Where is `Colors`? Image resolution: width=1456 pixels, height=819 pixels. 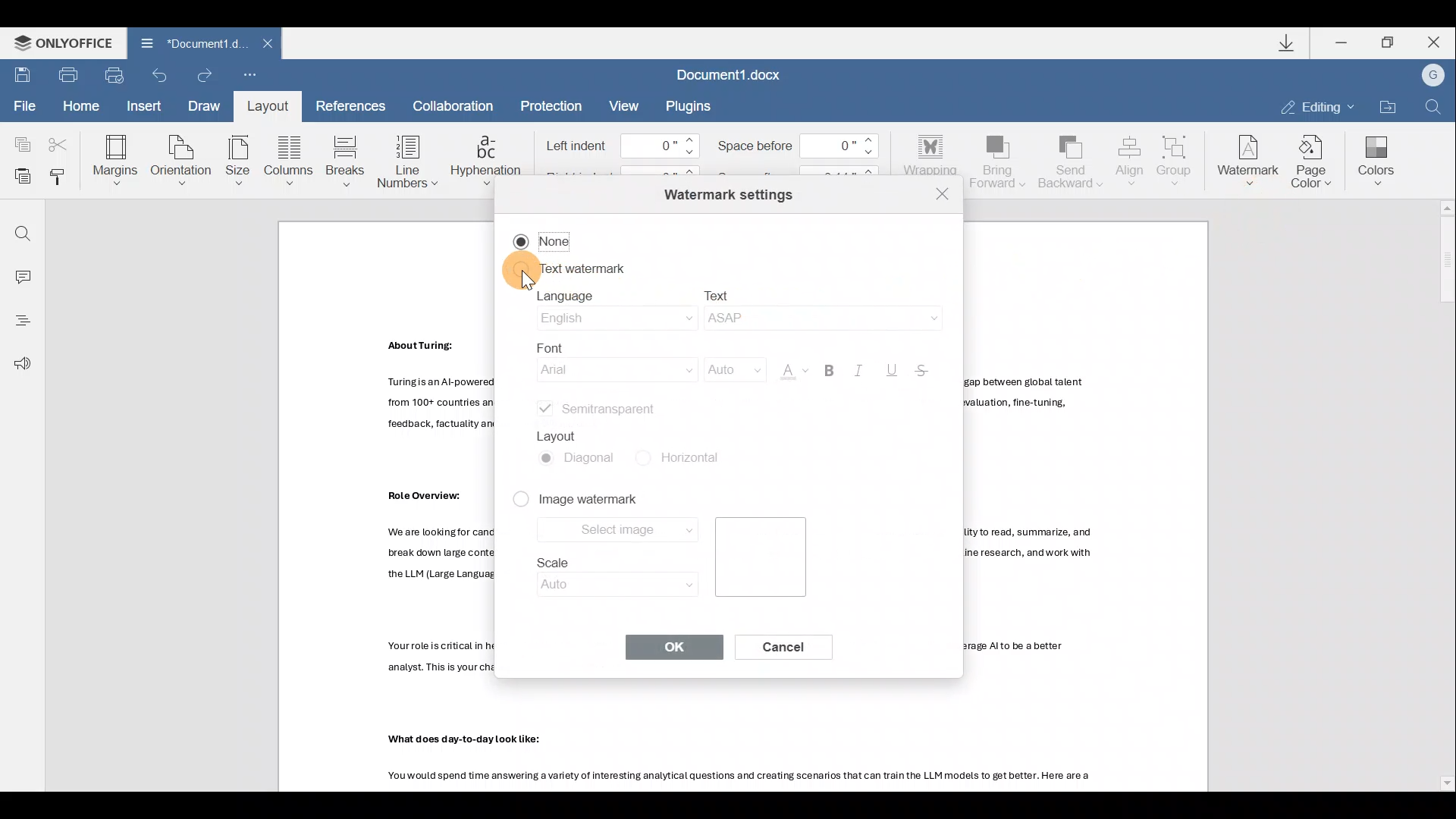 Colors is located at coordinates (1375, 162).